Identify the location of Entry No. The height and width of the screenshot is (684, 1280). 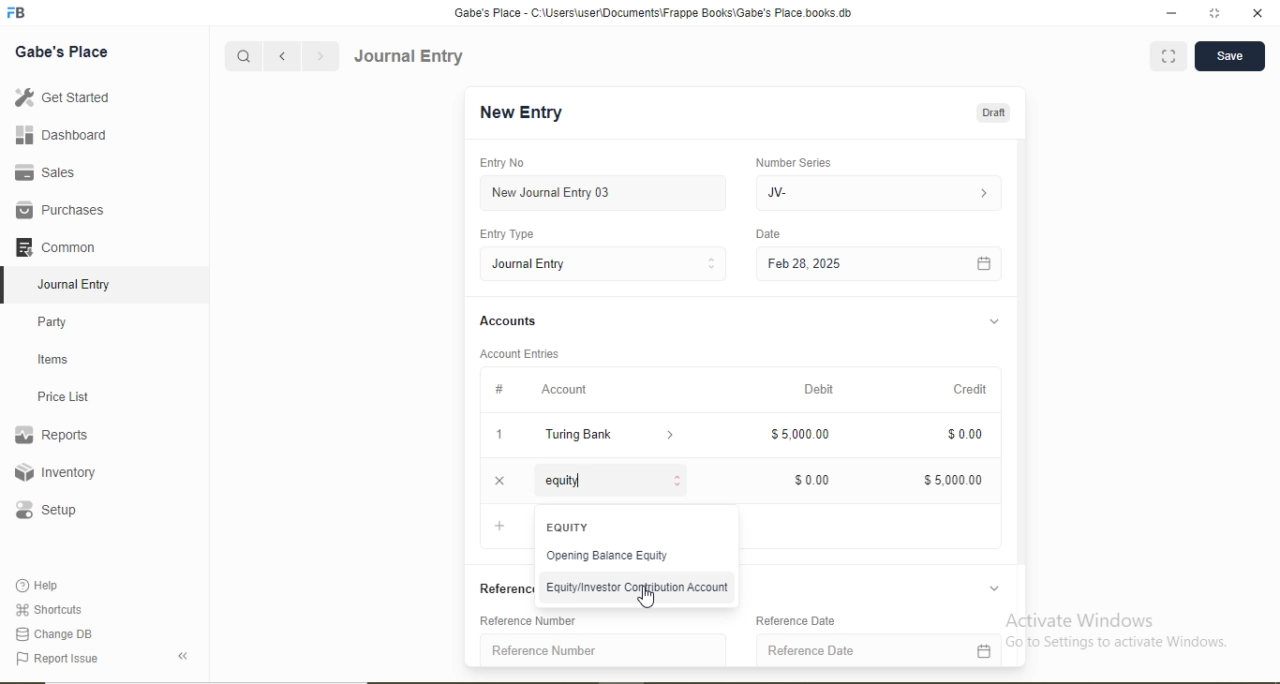
(501, 162).